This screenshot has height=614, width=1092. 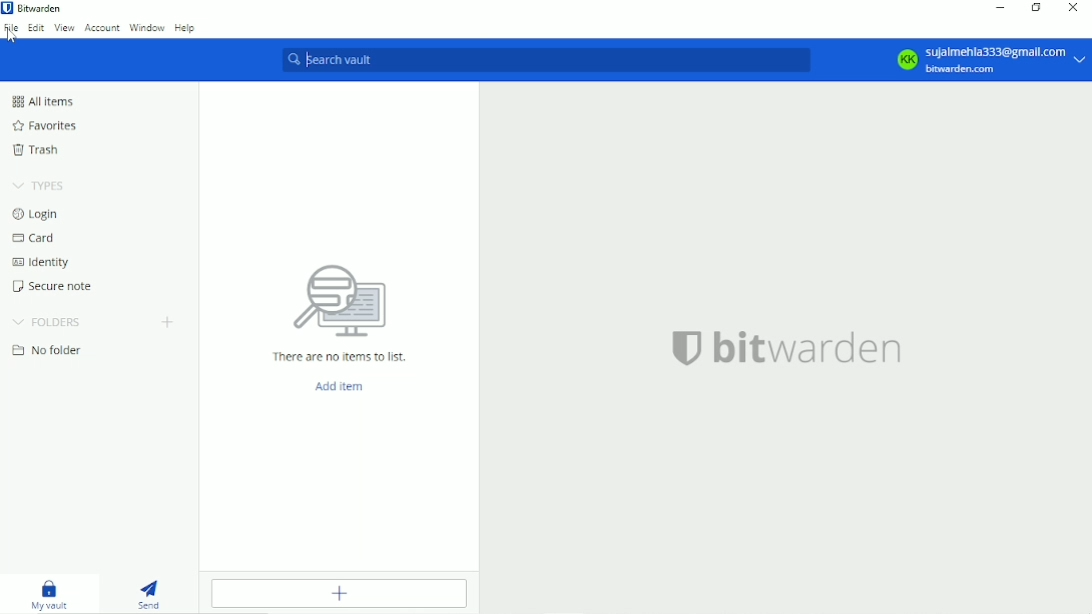 What do you see at coordinates (55, 288) in the screenshot?
I see `Secure note` at bounding box center [55, 288].